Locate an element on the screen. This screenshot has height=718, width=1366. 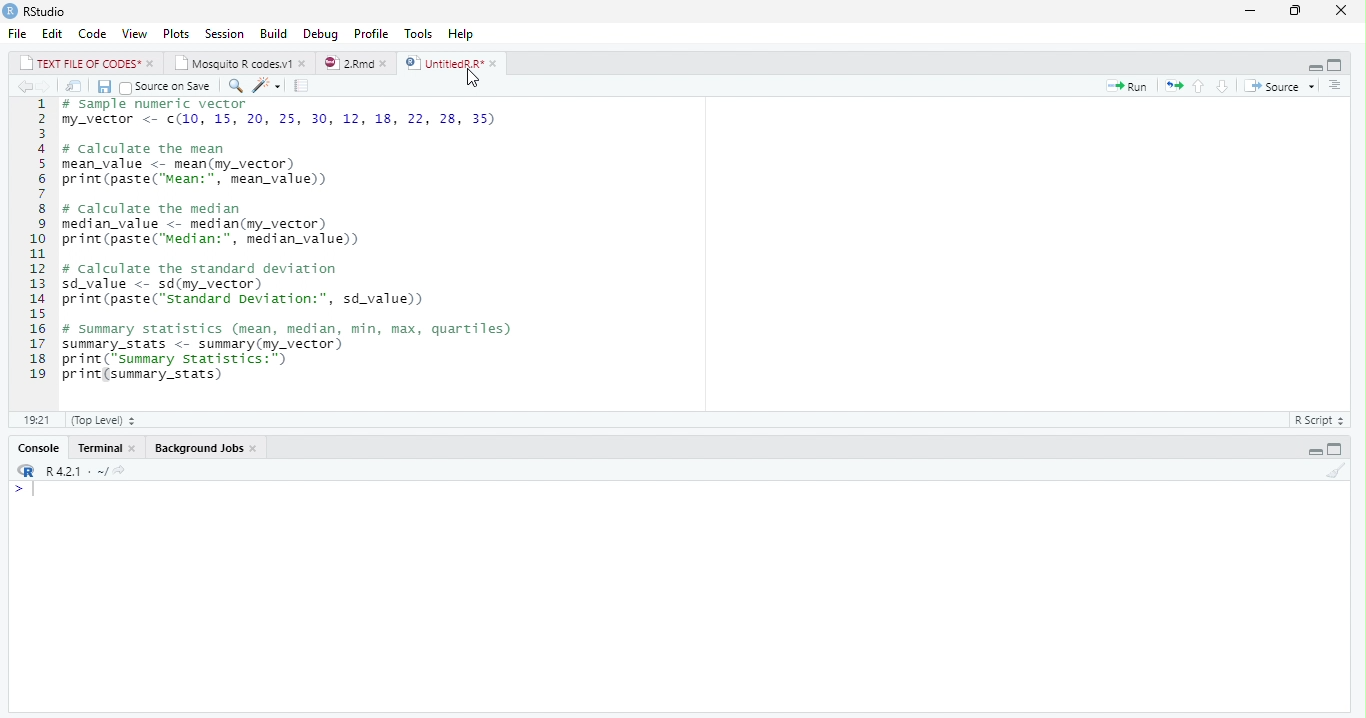
tools is located at coordinates (420, 34).